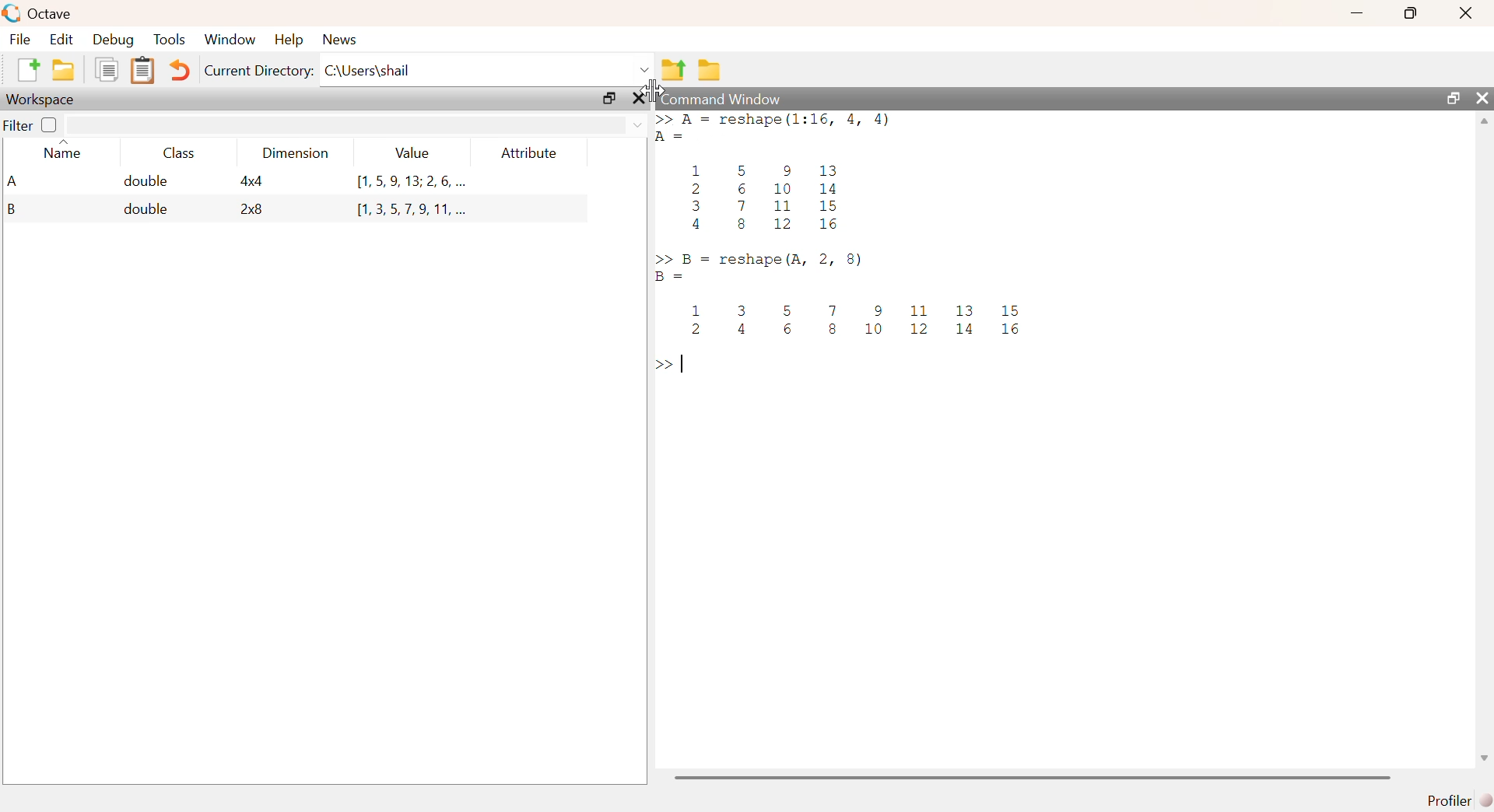 This screenshot has height=812, width=1494. I want to click on paste, so click(142, 72).